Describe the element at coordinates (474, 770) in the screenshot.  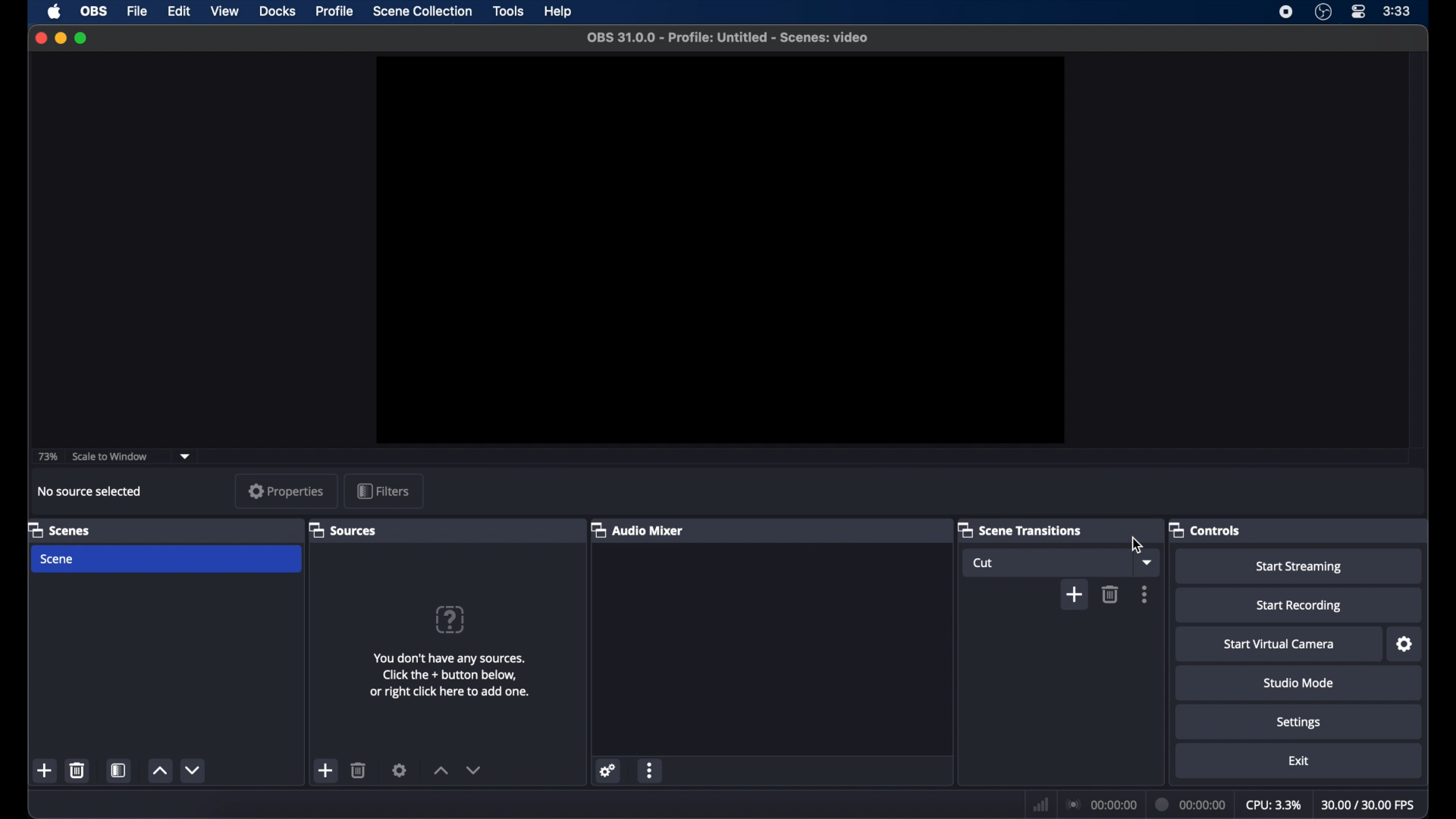
I see `decrement` at that location.